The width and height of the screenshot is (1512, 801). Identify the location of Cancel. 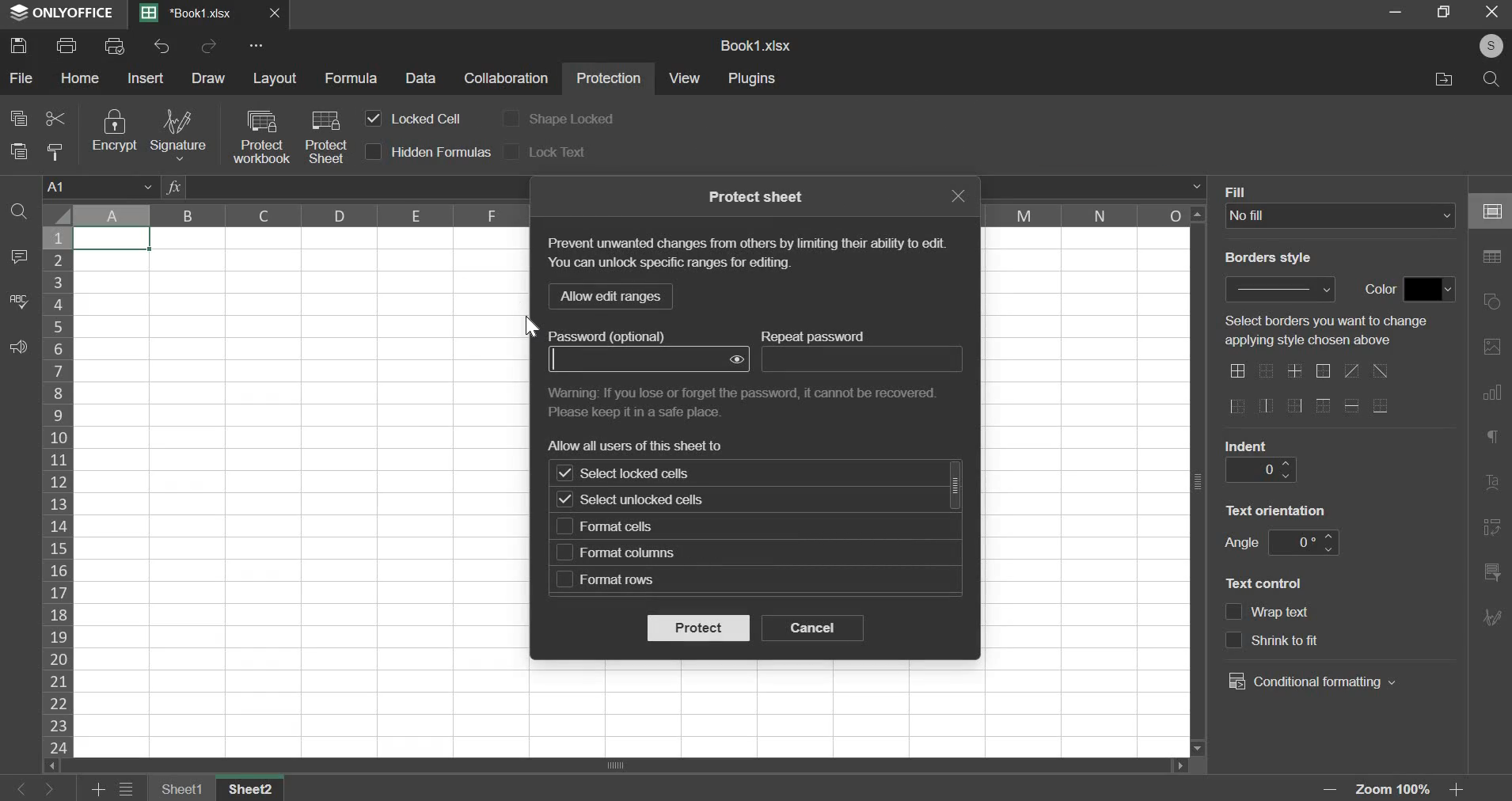
(1497, 14).